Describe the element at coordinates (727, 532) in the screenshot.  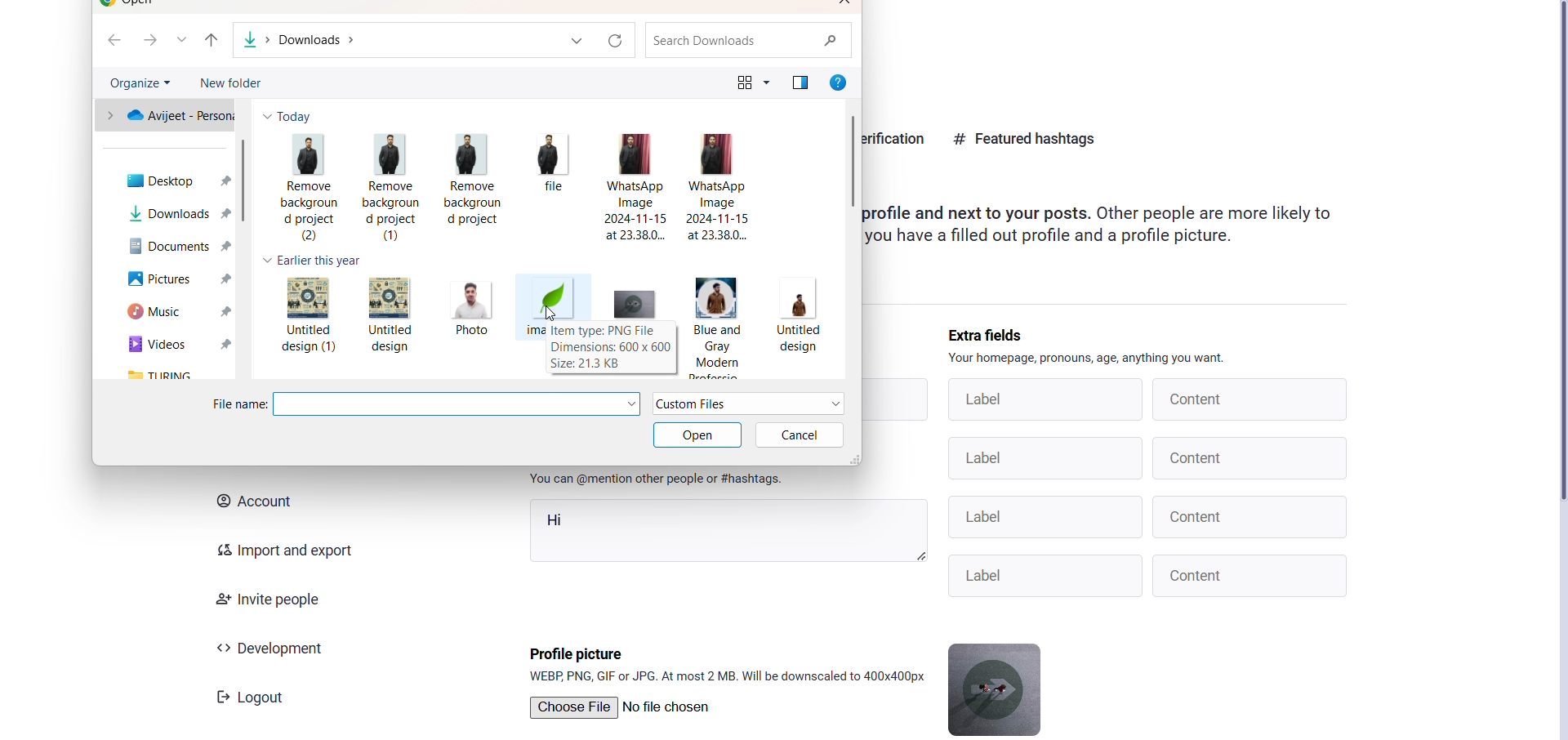
I see `hi` at that location.